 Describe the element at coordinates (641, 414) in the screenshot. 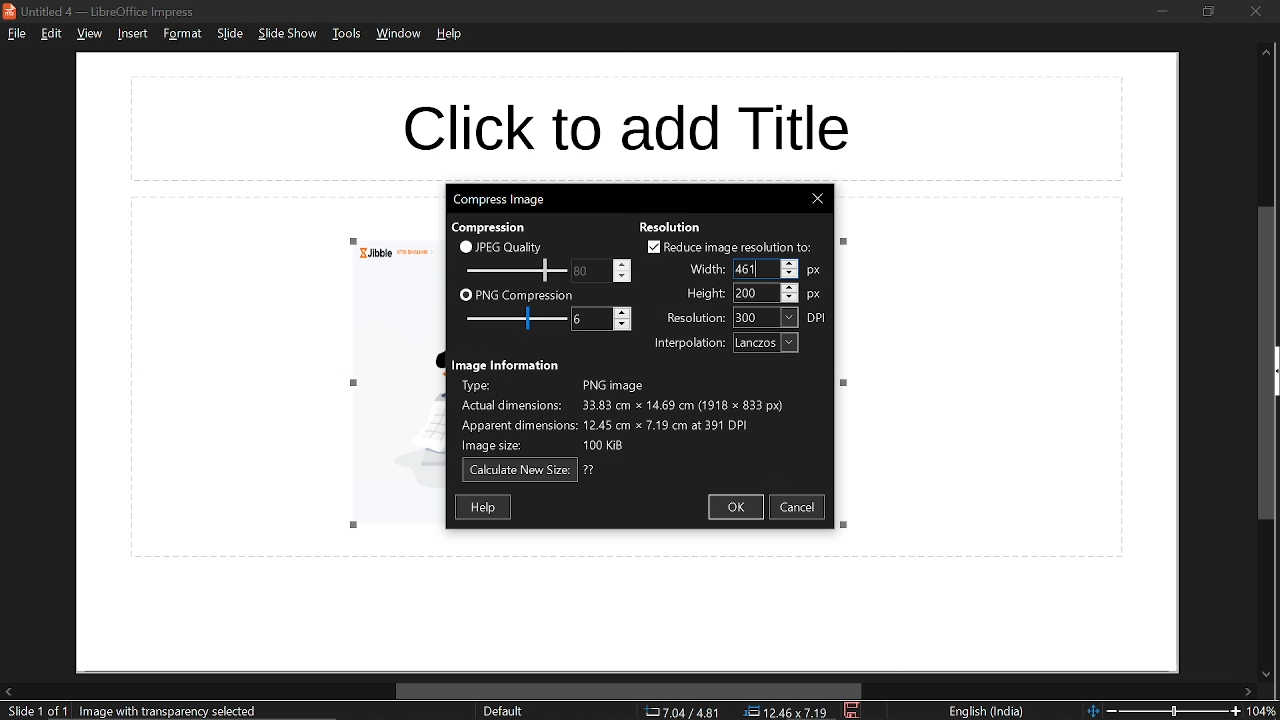

I see `Image information` at that location.